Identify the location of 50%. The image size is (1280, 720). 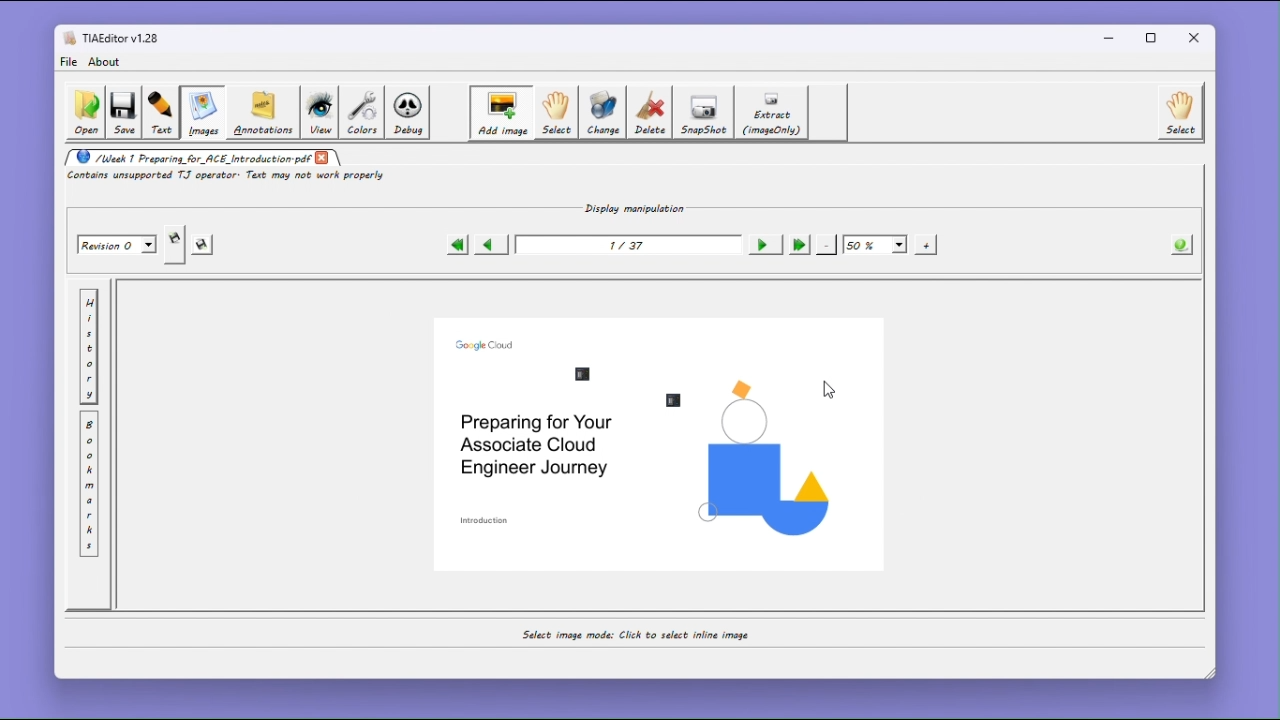
(875, 244).